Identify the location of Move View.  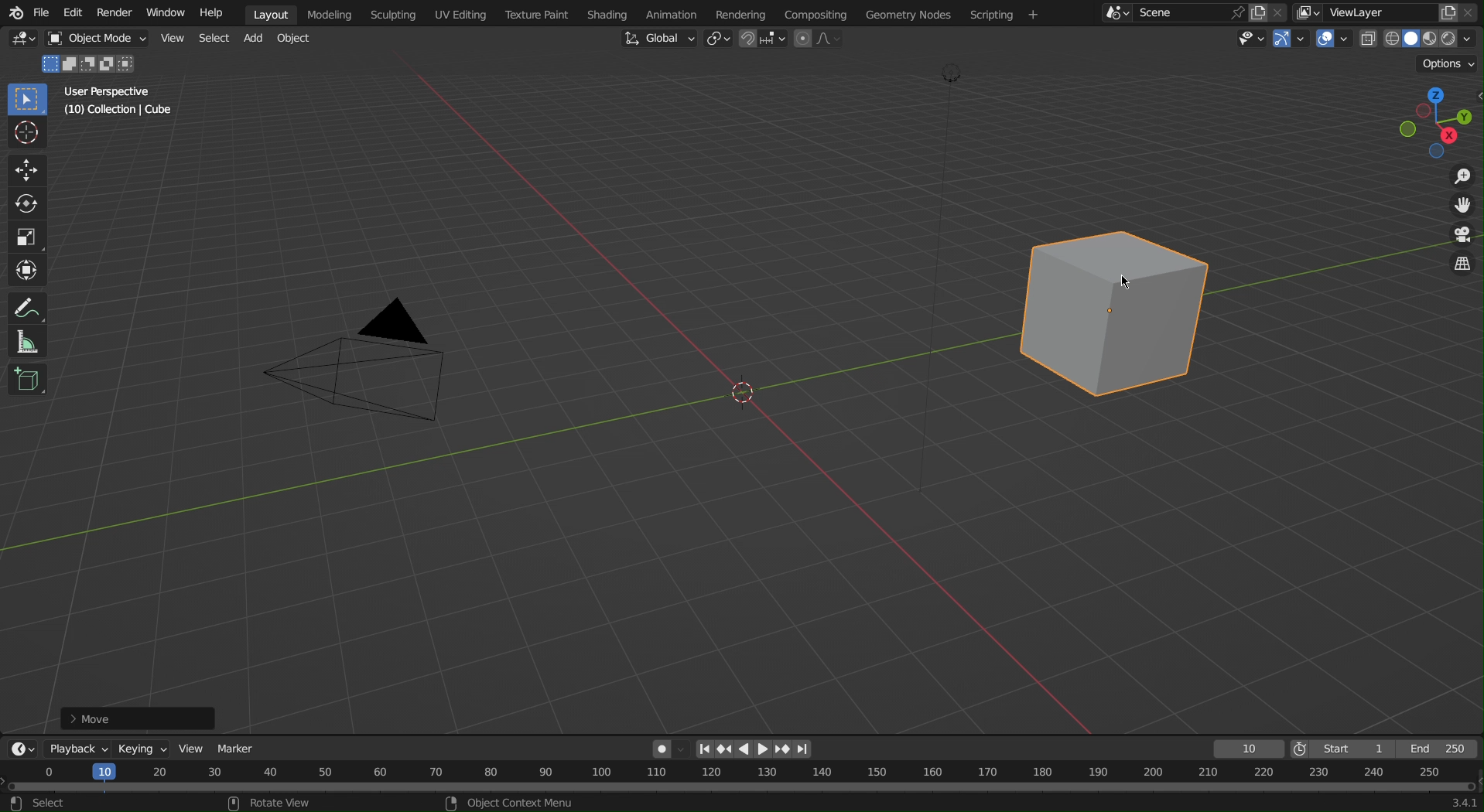
(1456, 209).